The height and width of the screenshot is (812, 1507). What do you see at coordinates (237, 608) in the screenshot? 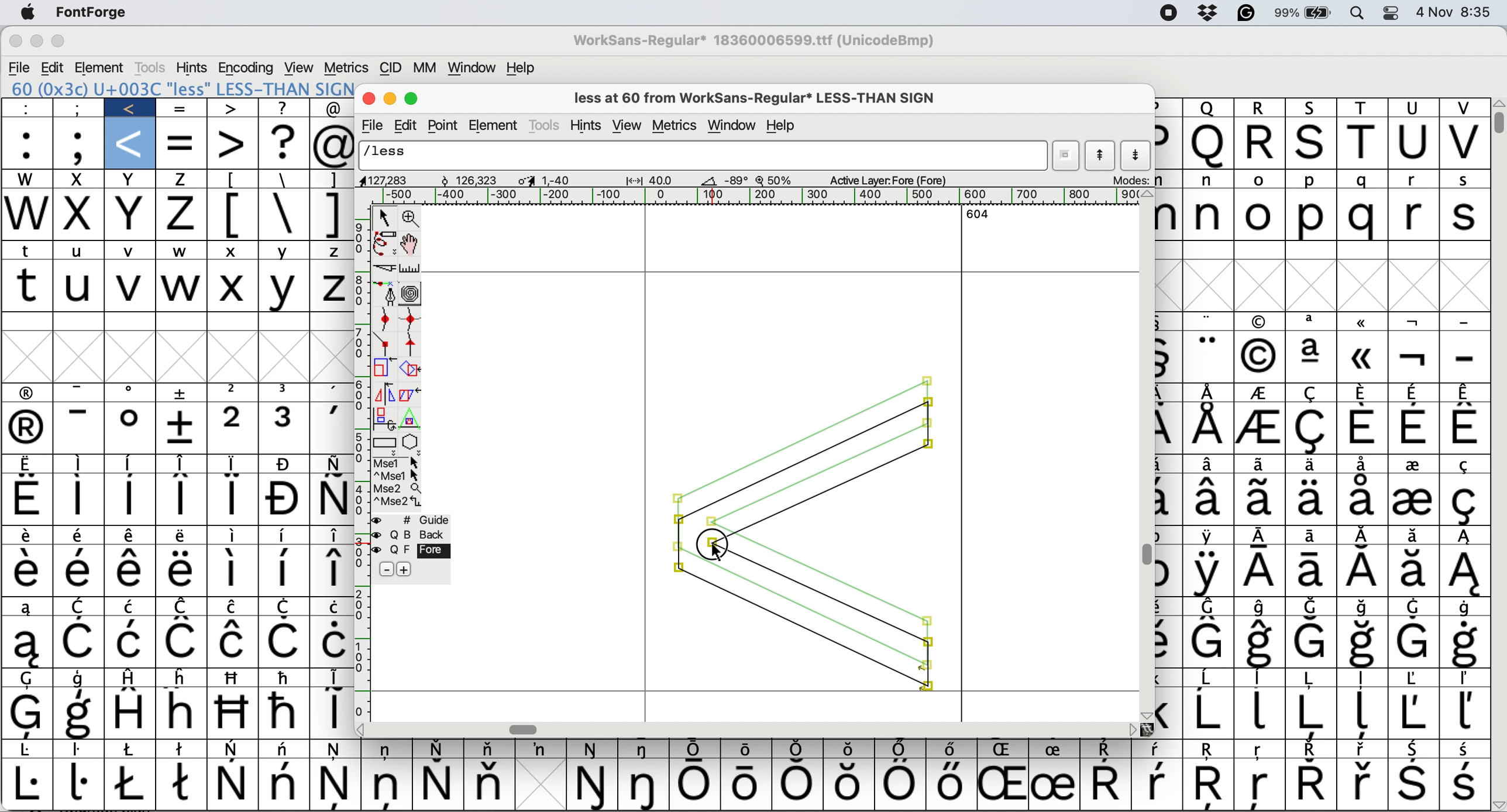
I see `Symbol` at bounding box center [237, 608].